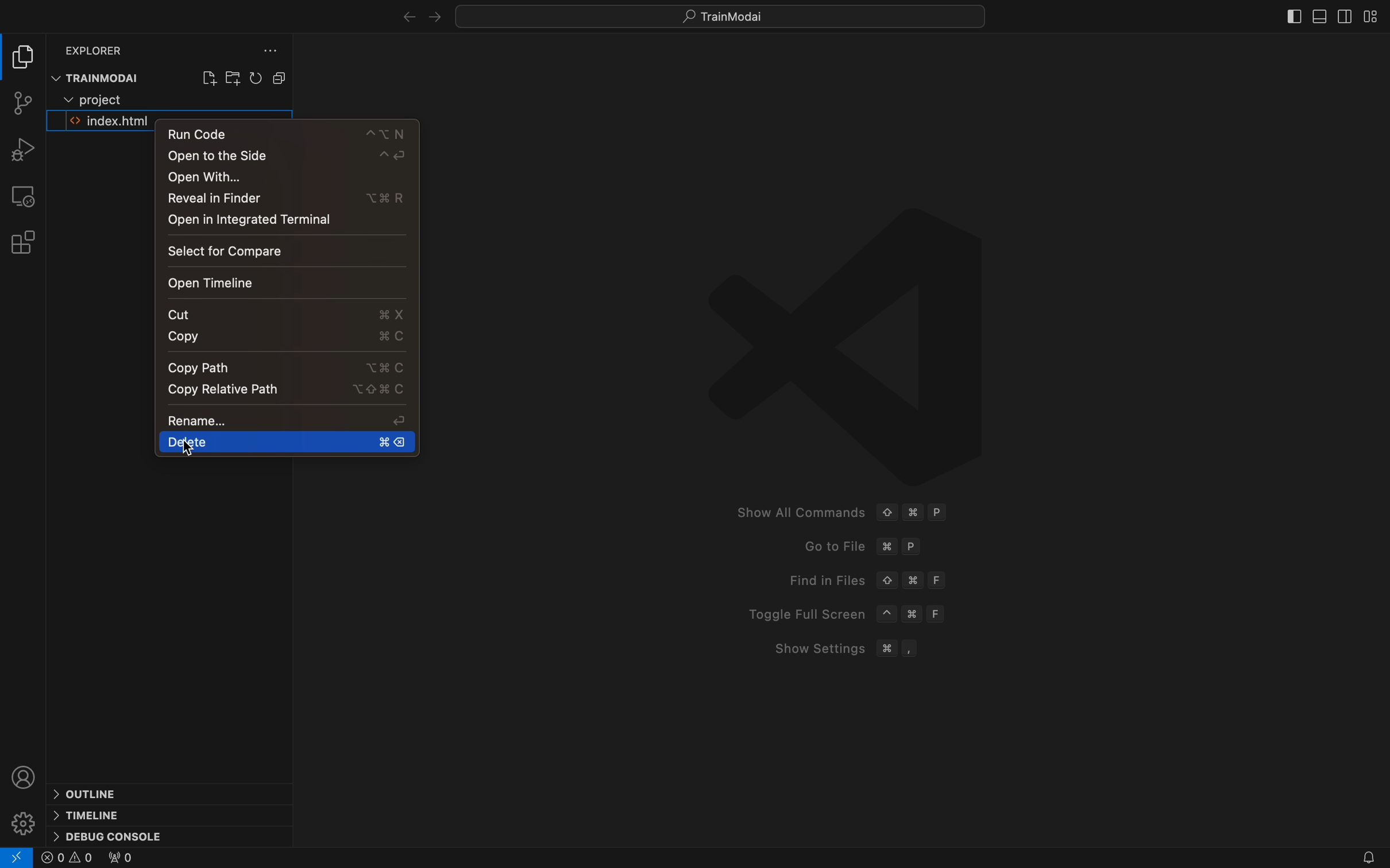 The height and width of the screenshot is (868, 1390). Describe the element at coordinates (227, 251) in the screenshot. I see `select for compare` at that location.